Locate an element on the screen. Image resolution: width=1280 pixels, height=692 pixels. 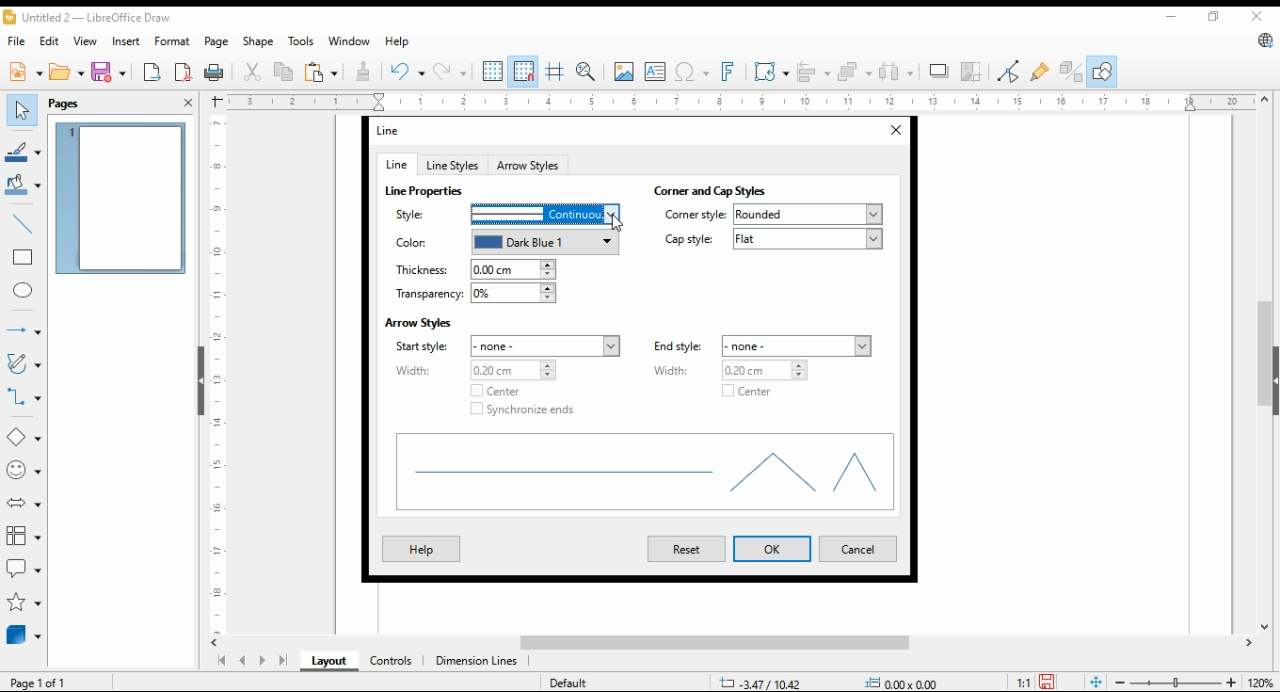
end style is located at coordinates (763, 346).